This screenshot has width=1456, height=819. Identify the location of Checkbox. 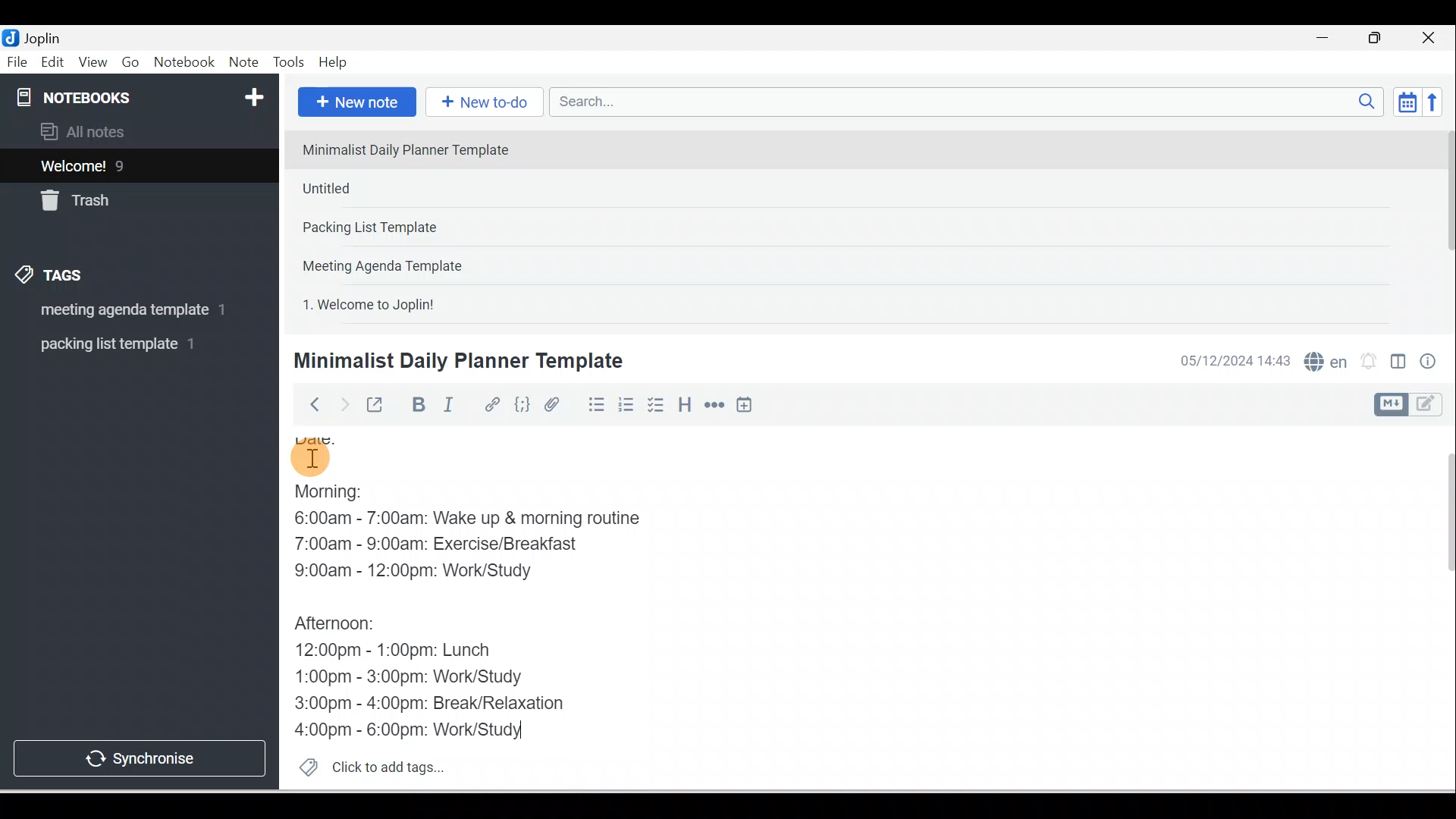
(654, 405).